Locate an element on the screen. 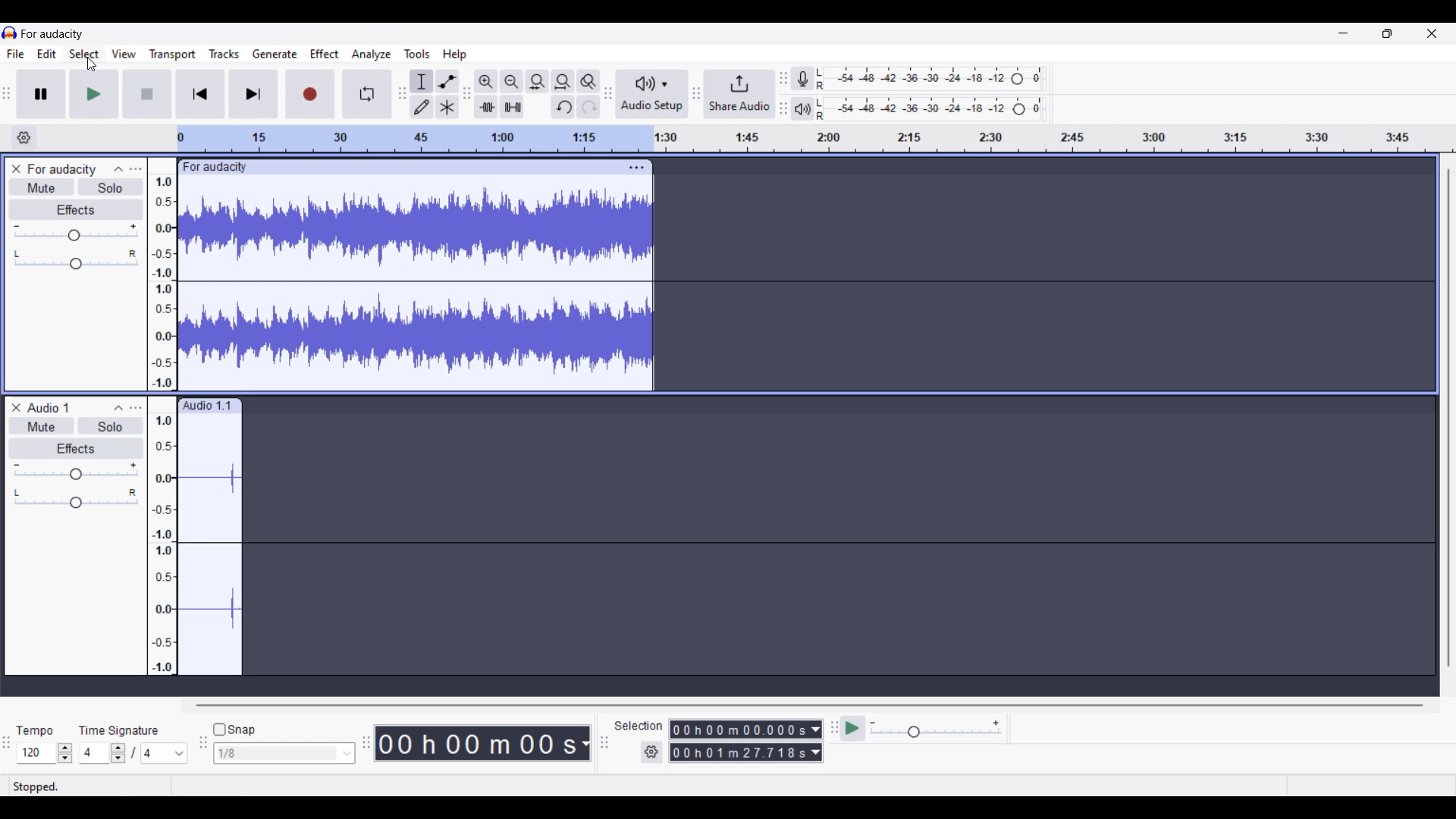  Generate is located at coordinates (275, 53).